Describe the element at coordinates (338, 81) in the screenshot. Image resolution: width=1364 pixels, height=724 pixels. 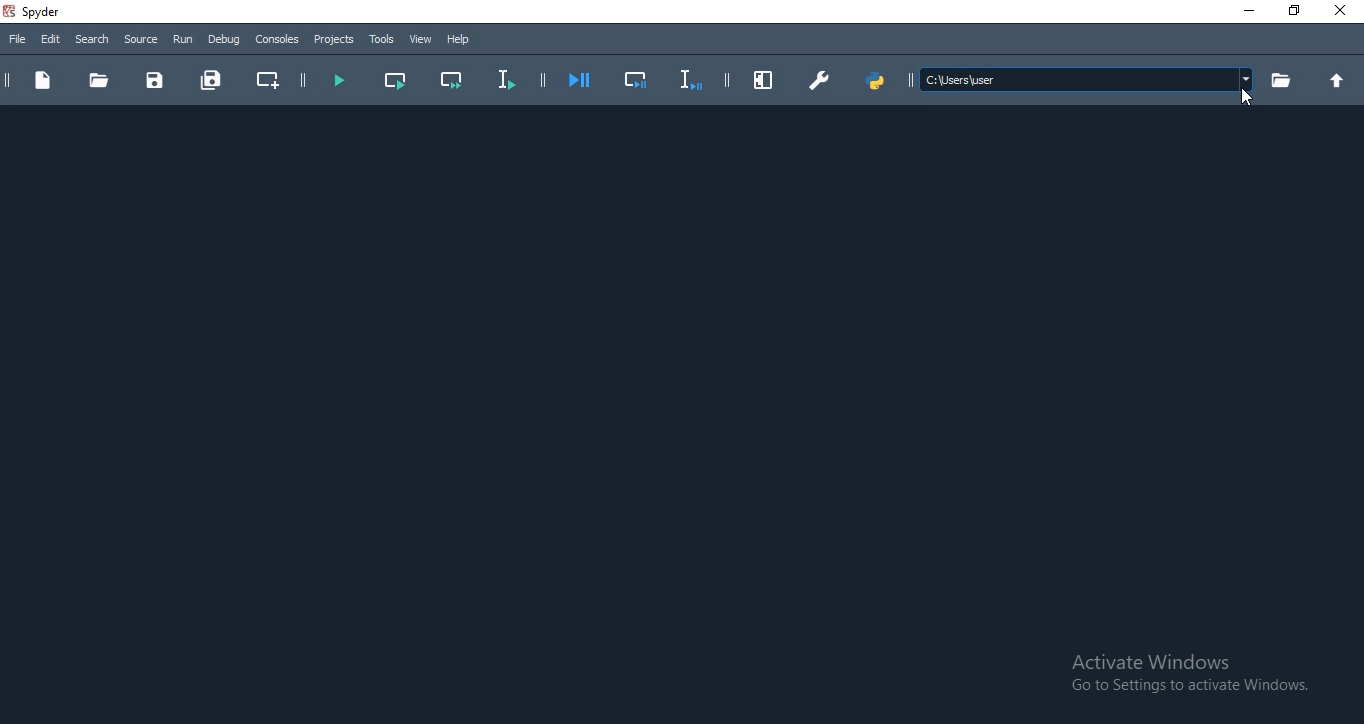
I see `run file` at that location.